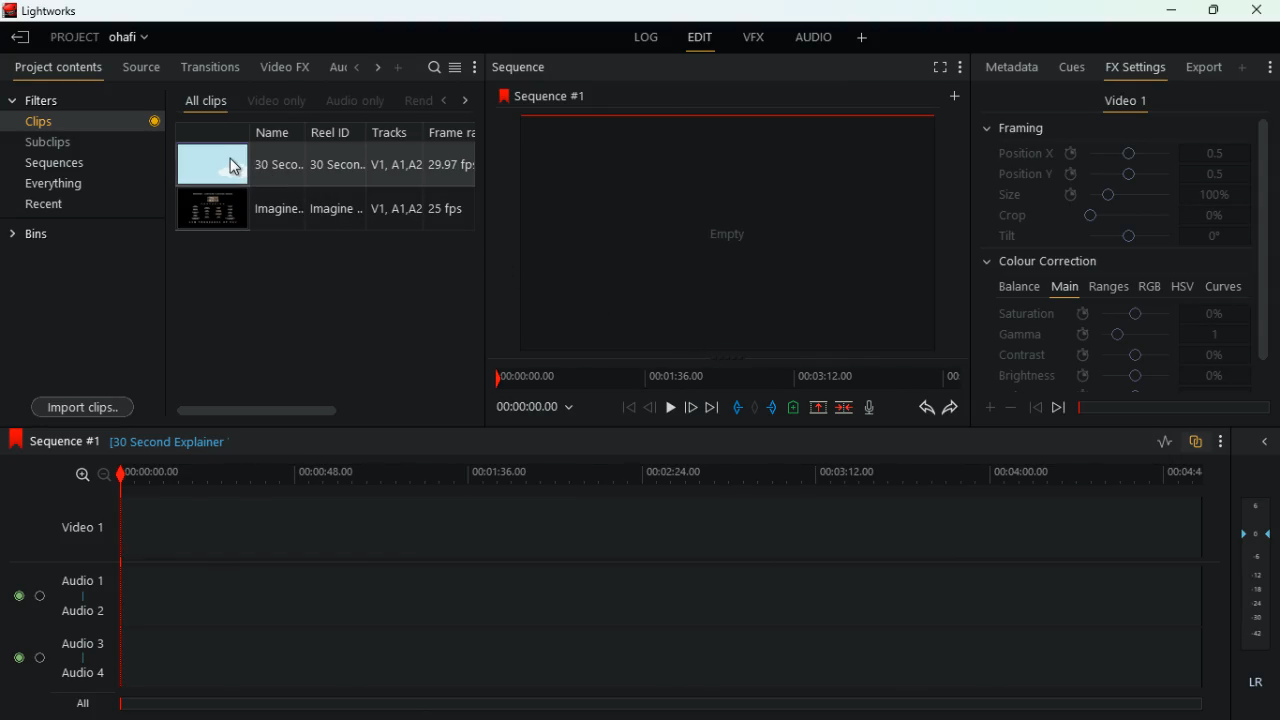 The width and height of the screenshot is (1280, 720). What do you see at coordinates (339, 178) in the screenshot?
I see `reel id` at bounding box center [339, 178].